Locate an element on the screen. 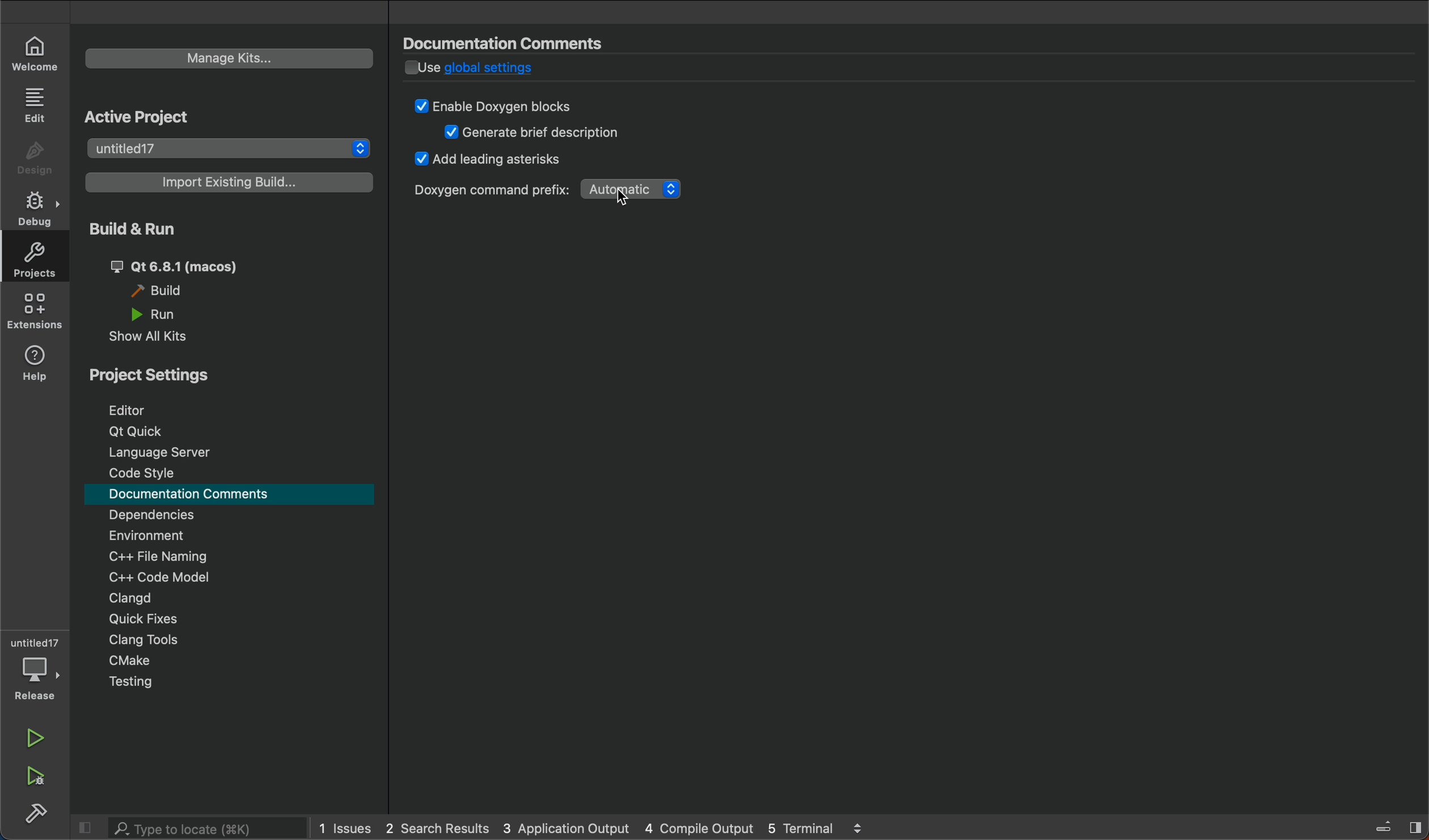 This screenshot has width=1429, height=840. close is located at coordinates (1394, 826).